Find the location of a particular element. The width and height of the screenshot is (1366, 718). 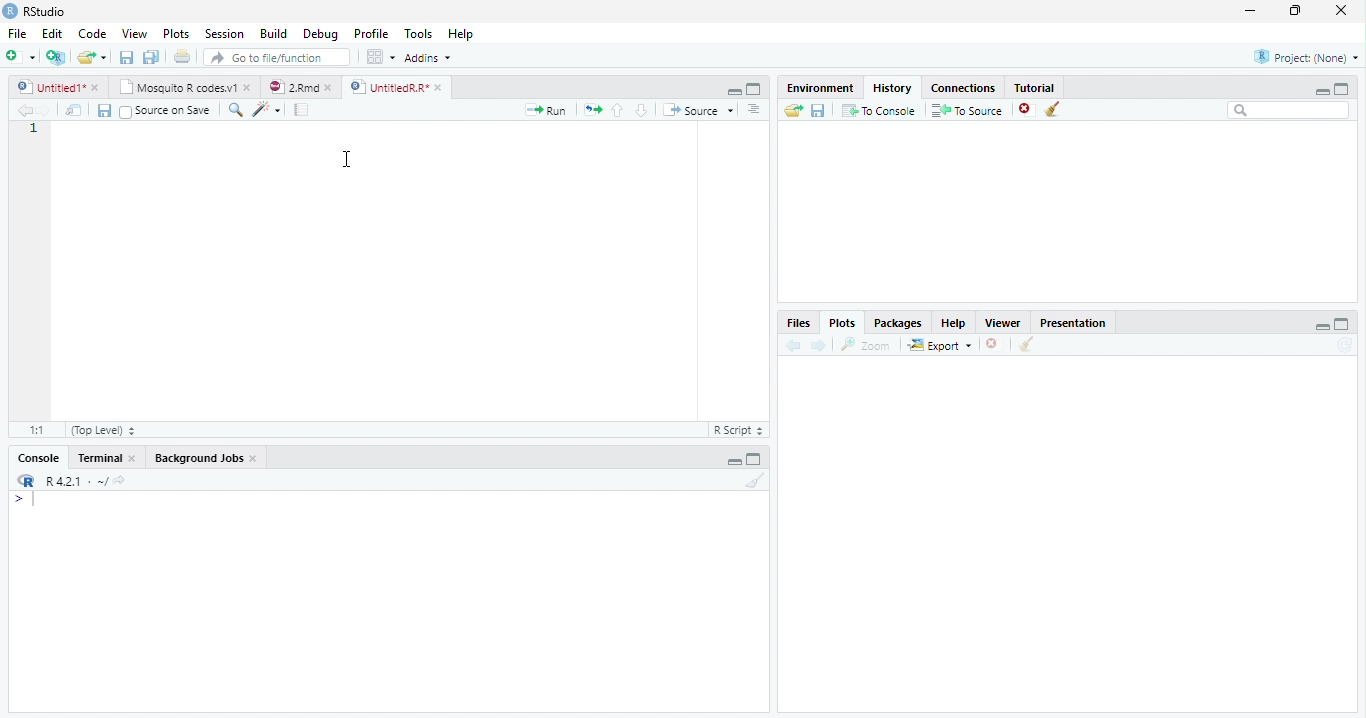

Packages is located at coordinates (899, 324).